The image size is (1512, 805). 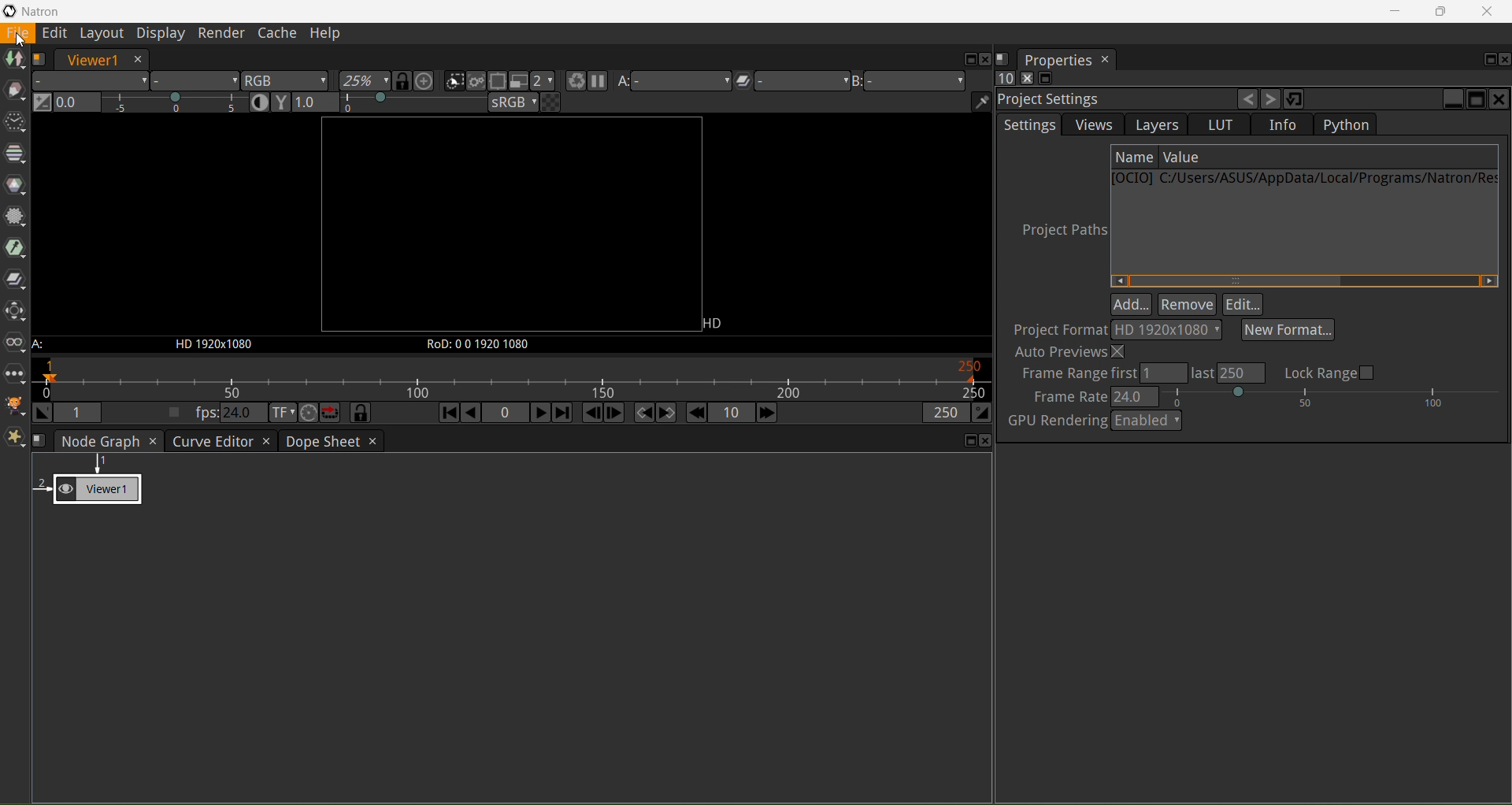 What do you see at coordinates (477, 344) in the screenshot?
I see `Region of definition of the displayed image` at bounding box center [477, 344].